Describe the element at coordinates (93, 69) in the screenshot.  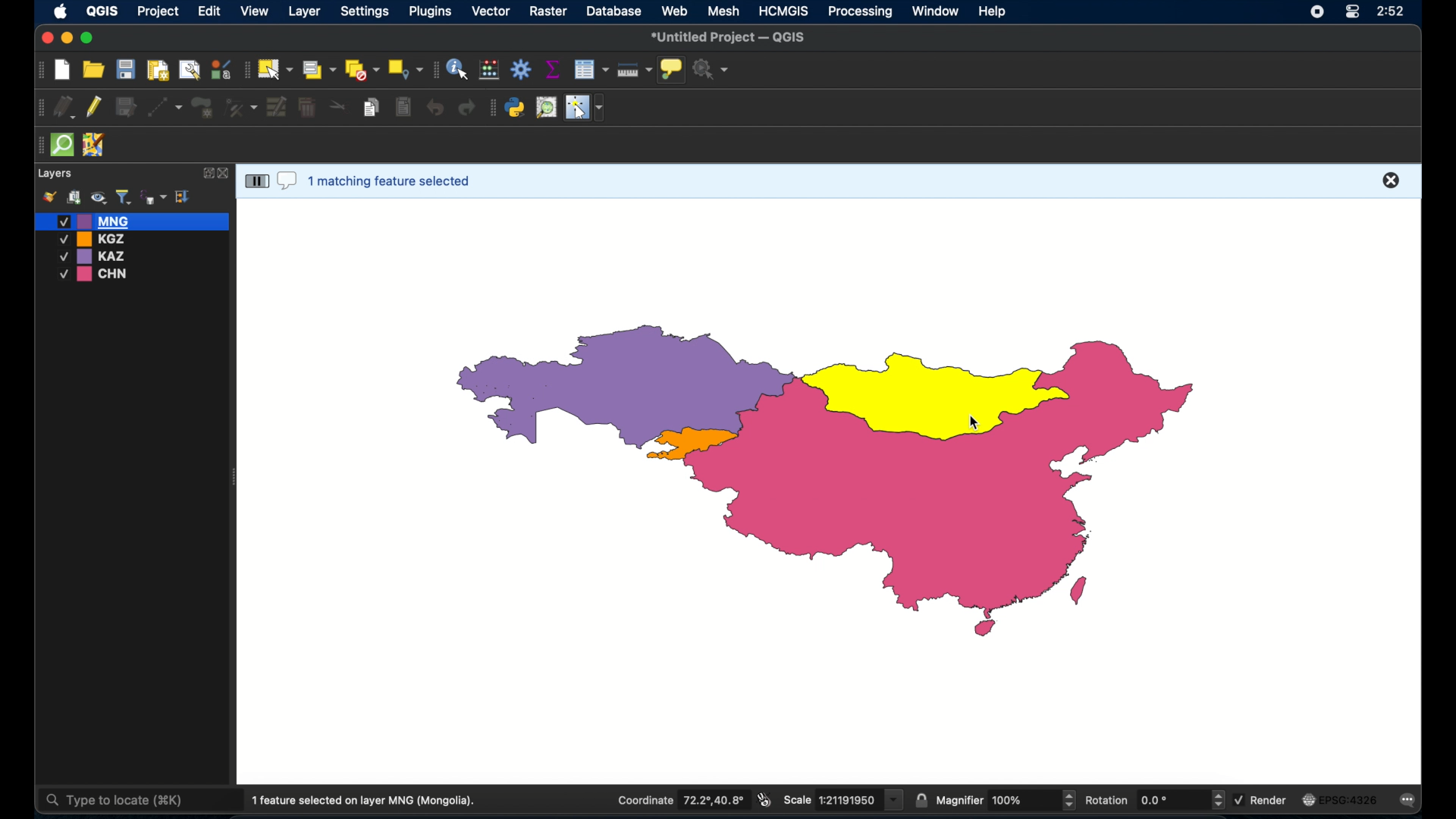
I see `open project` at that location.